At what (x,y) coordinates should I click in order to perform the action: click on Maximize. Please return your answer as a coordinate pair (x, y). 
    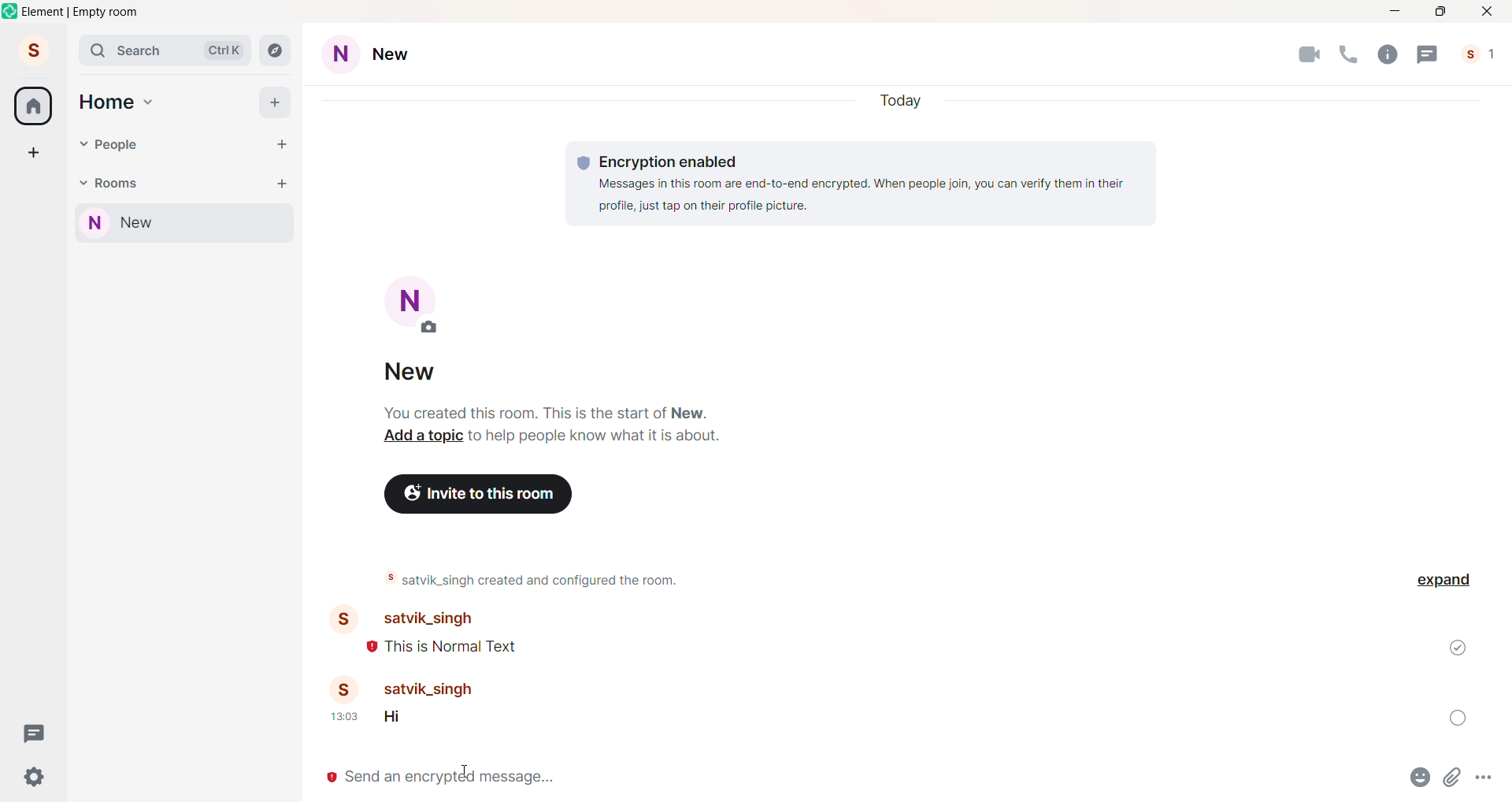
    Looking at the image, I should click on (1440, 12).